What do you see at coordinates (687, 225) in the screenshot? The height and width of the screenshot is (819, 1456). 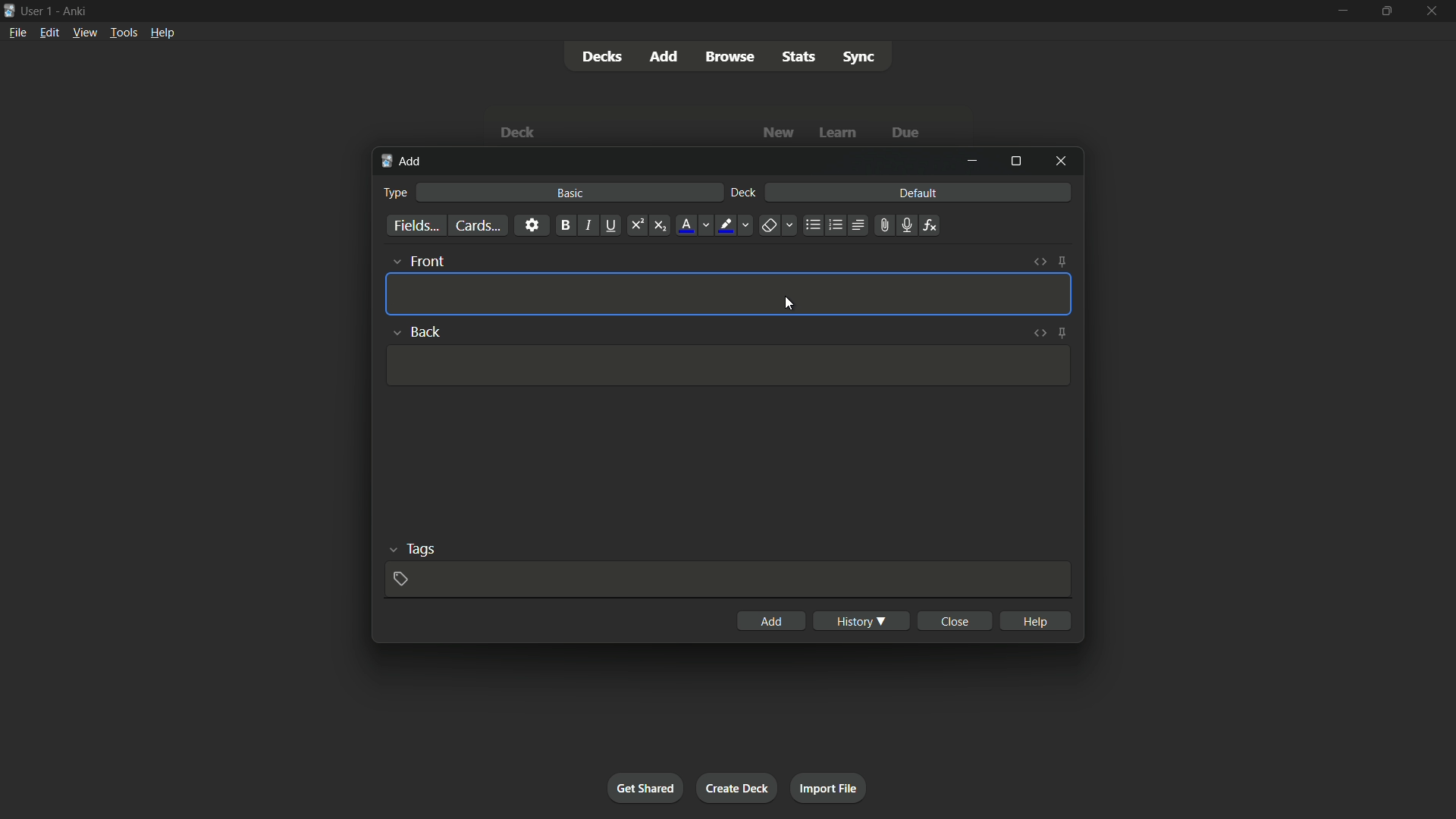 I see `font color` at bounding box center [687, 225].